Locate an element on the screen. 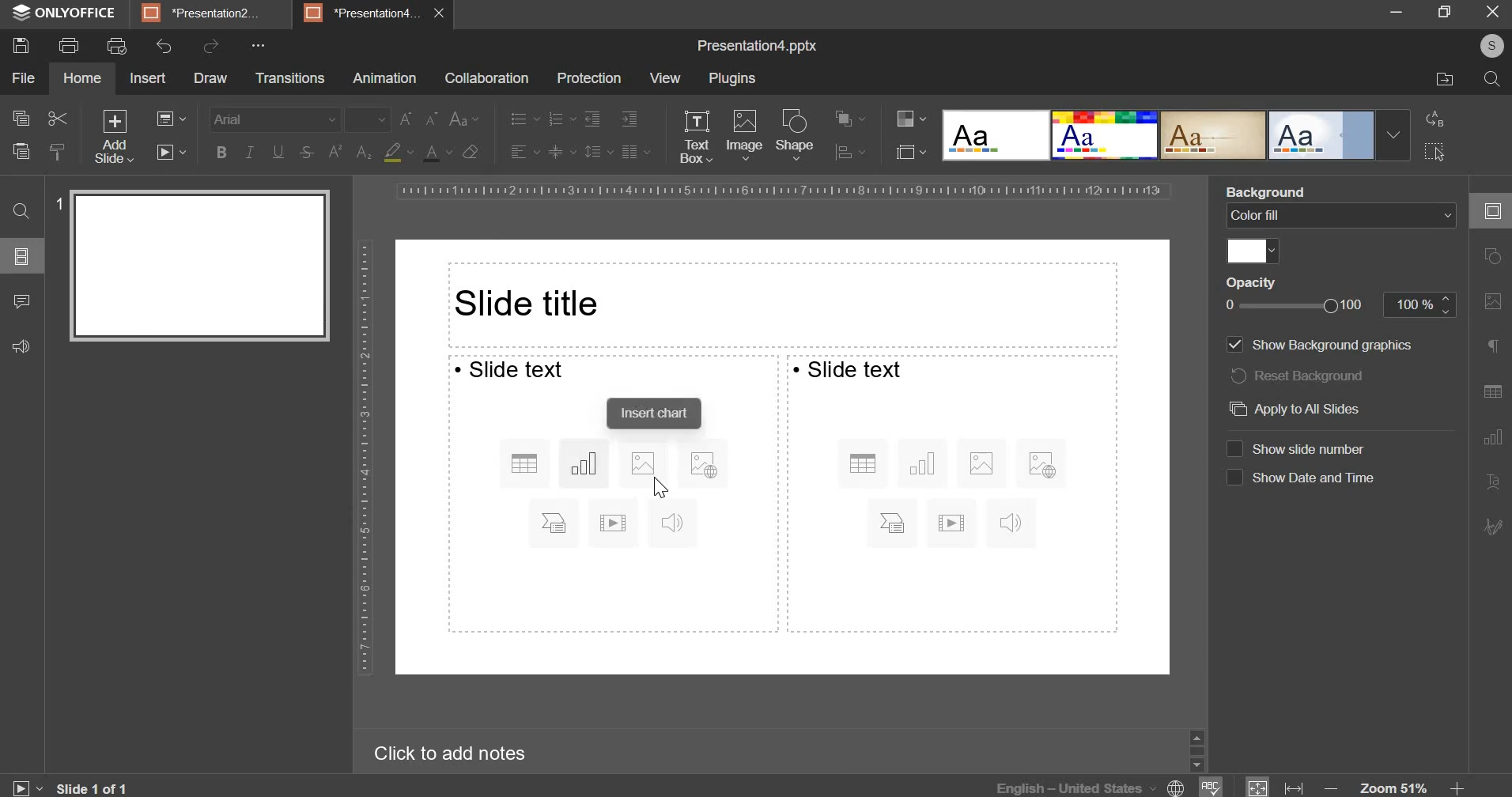  strikethrough is located at coordinates (306, 153).